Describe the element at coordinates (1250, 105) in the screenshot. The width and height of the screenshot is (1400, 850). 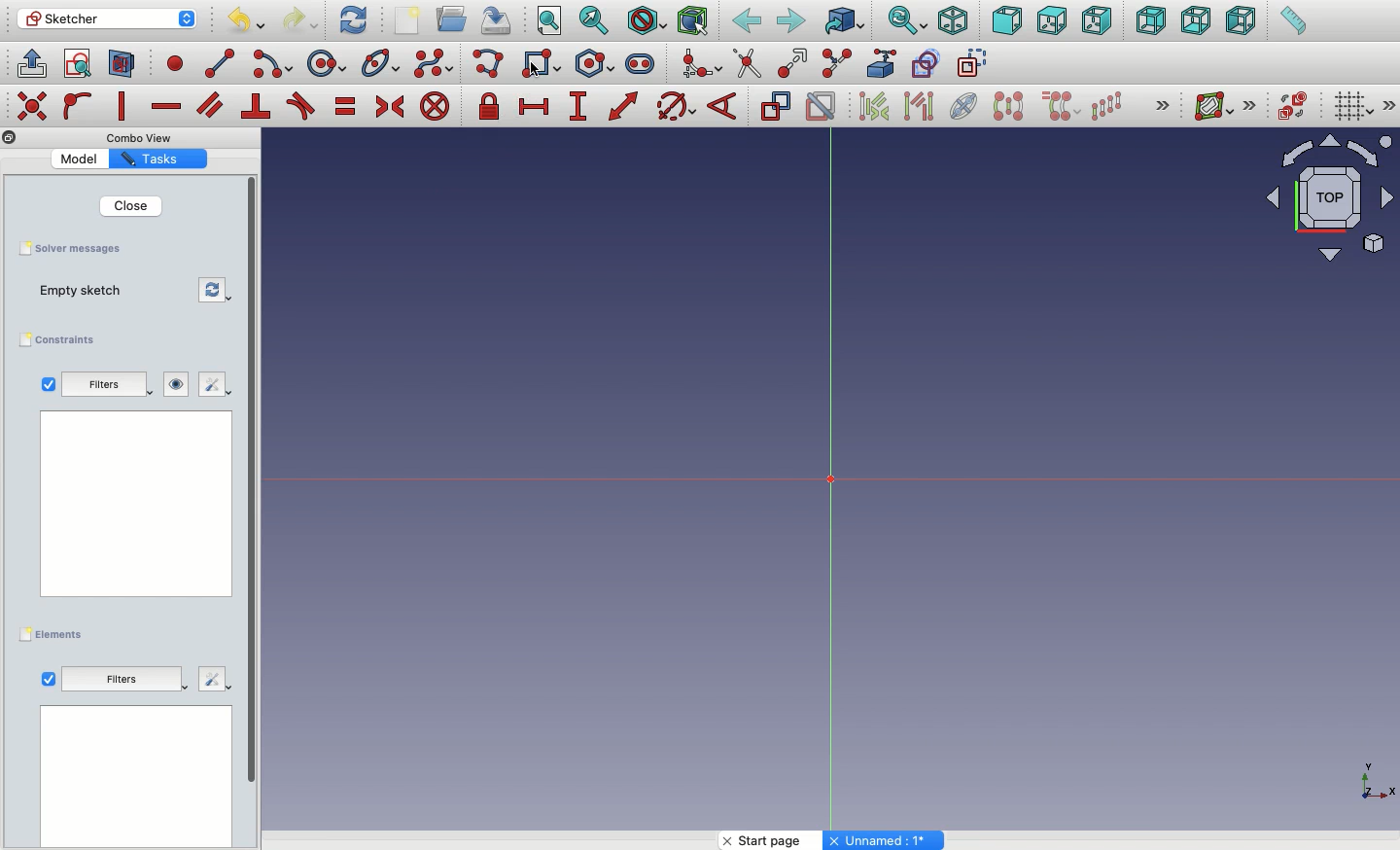
I see `Expand` at that location.